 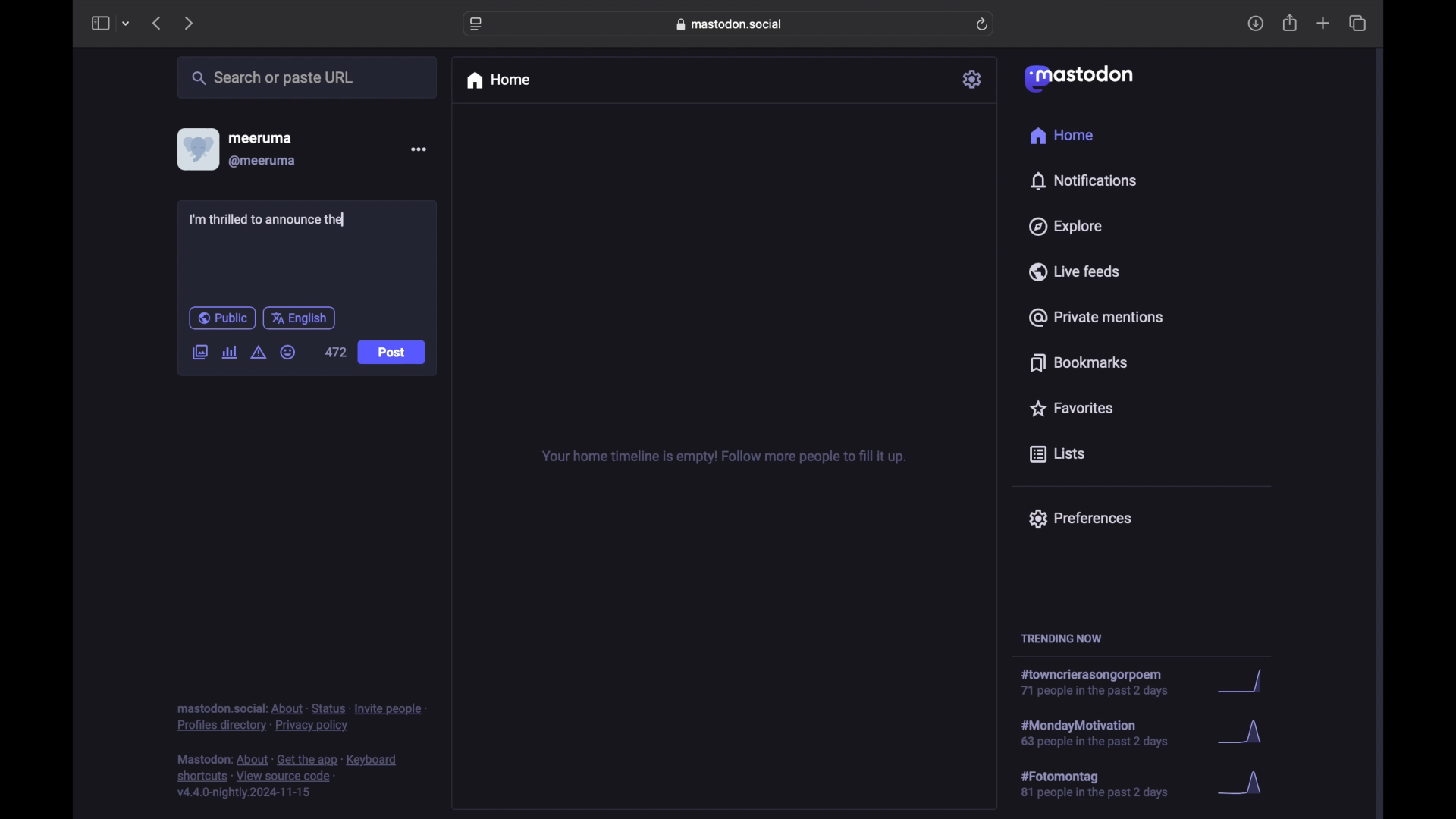 I want to click on trending now, so click(x=1061, y=639).